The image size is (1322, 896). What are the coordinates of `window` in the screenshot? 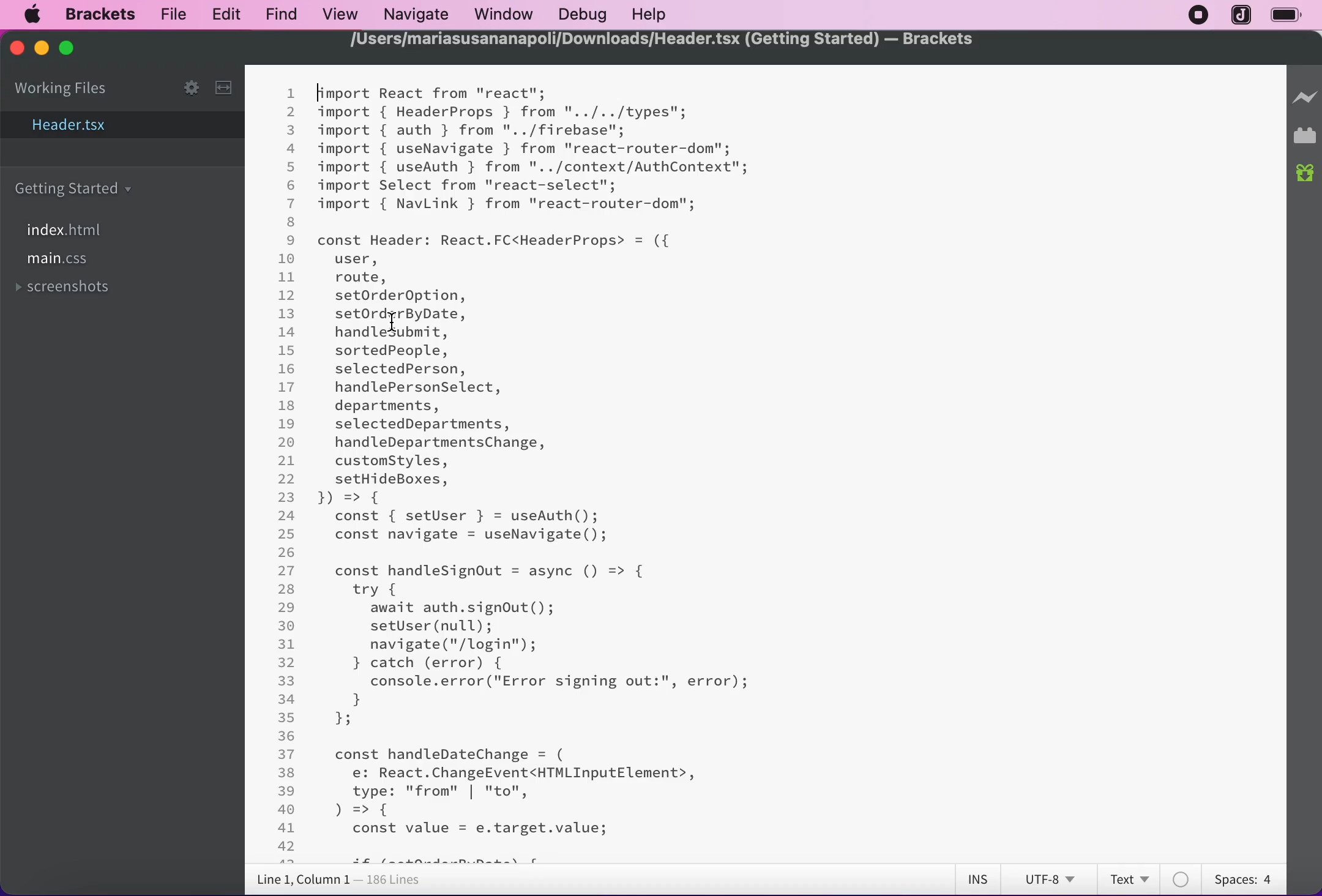 It's located at (504, 13).